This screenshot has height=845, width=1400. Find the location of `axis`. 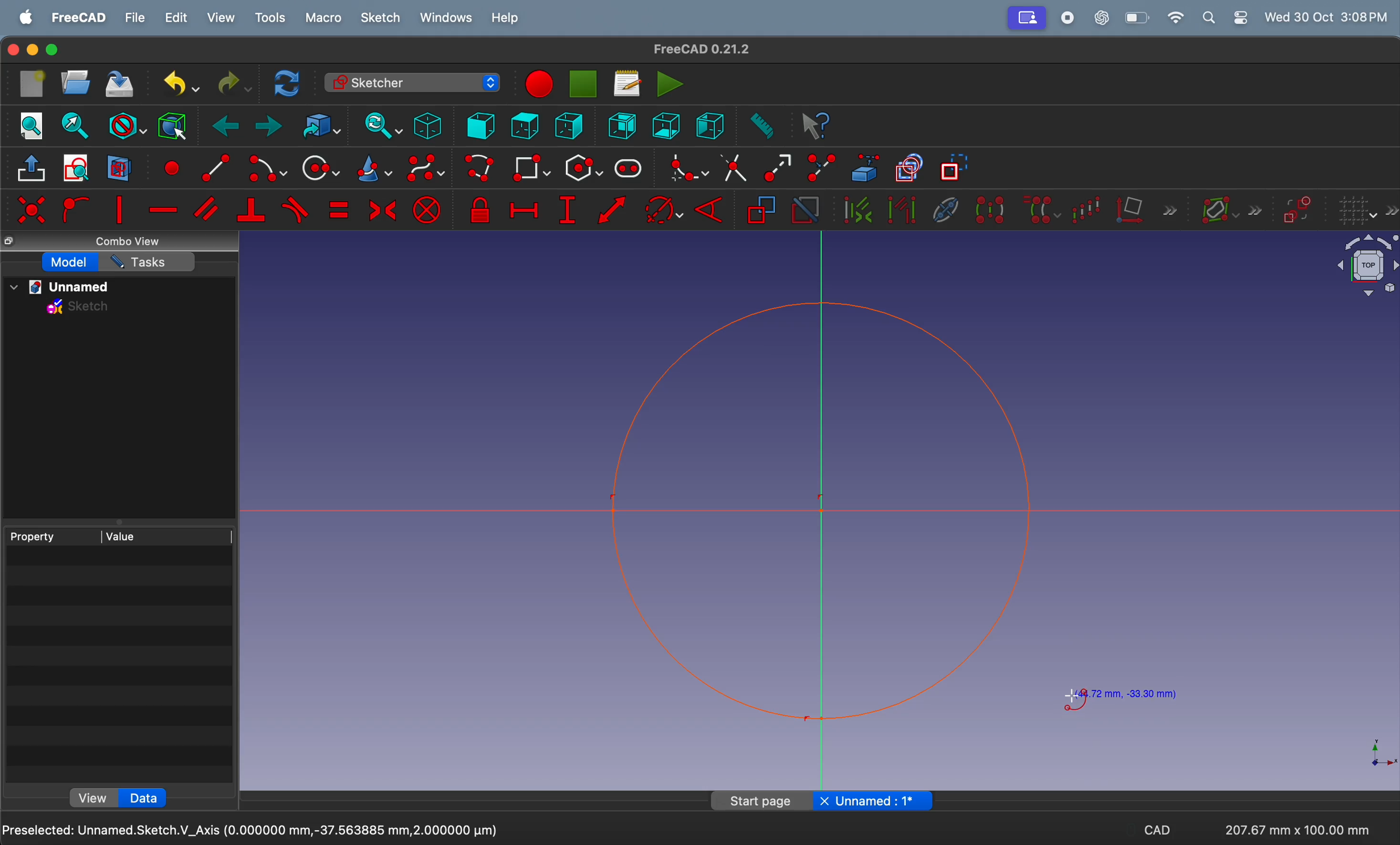

axis is located at coordinates (1376, 752).